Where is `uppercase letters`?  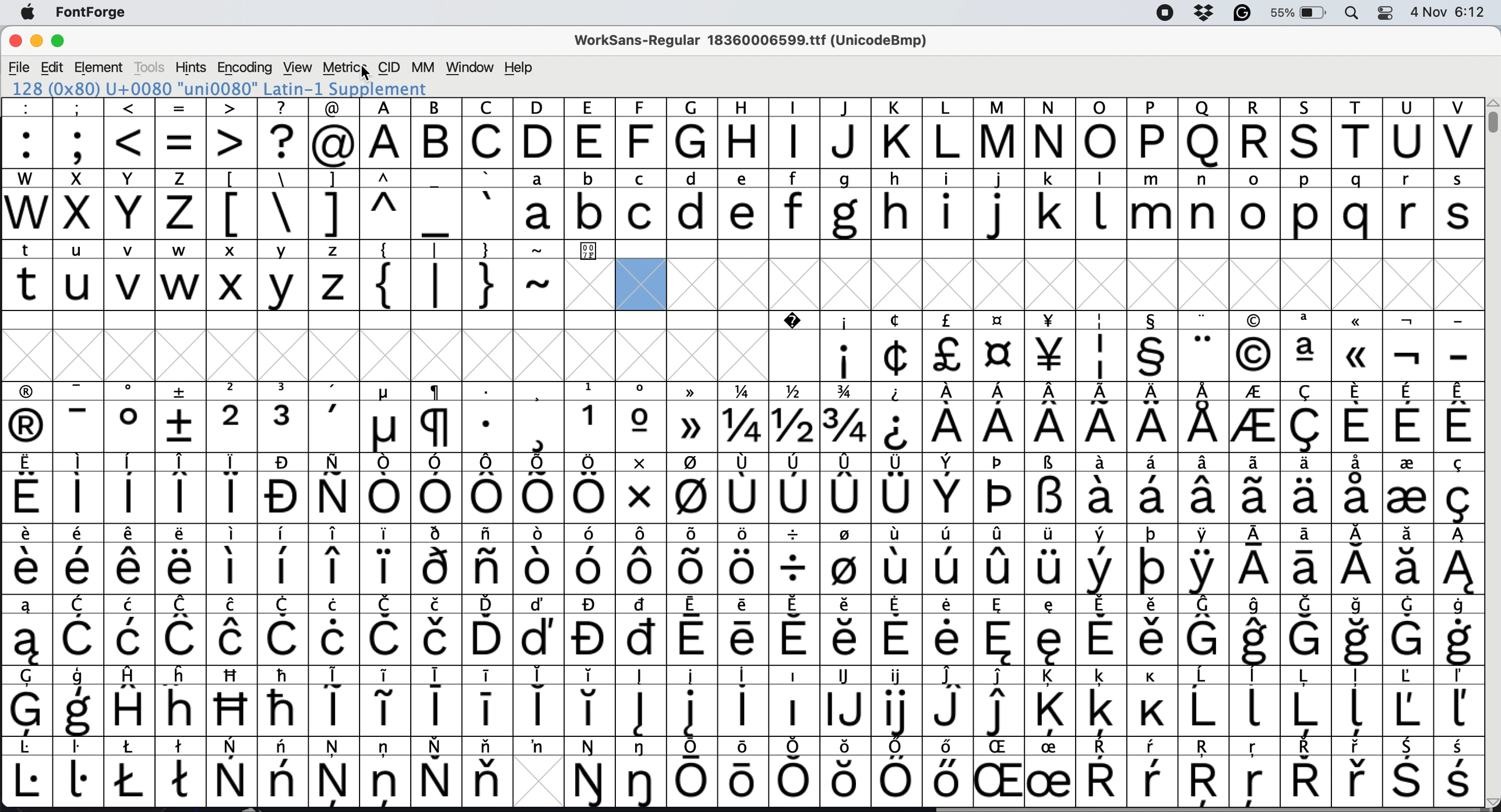
uppercase letters is located at coordinates (918, 144).